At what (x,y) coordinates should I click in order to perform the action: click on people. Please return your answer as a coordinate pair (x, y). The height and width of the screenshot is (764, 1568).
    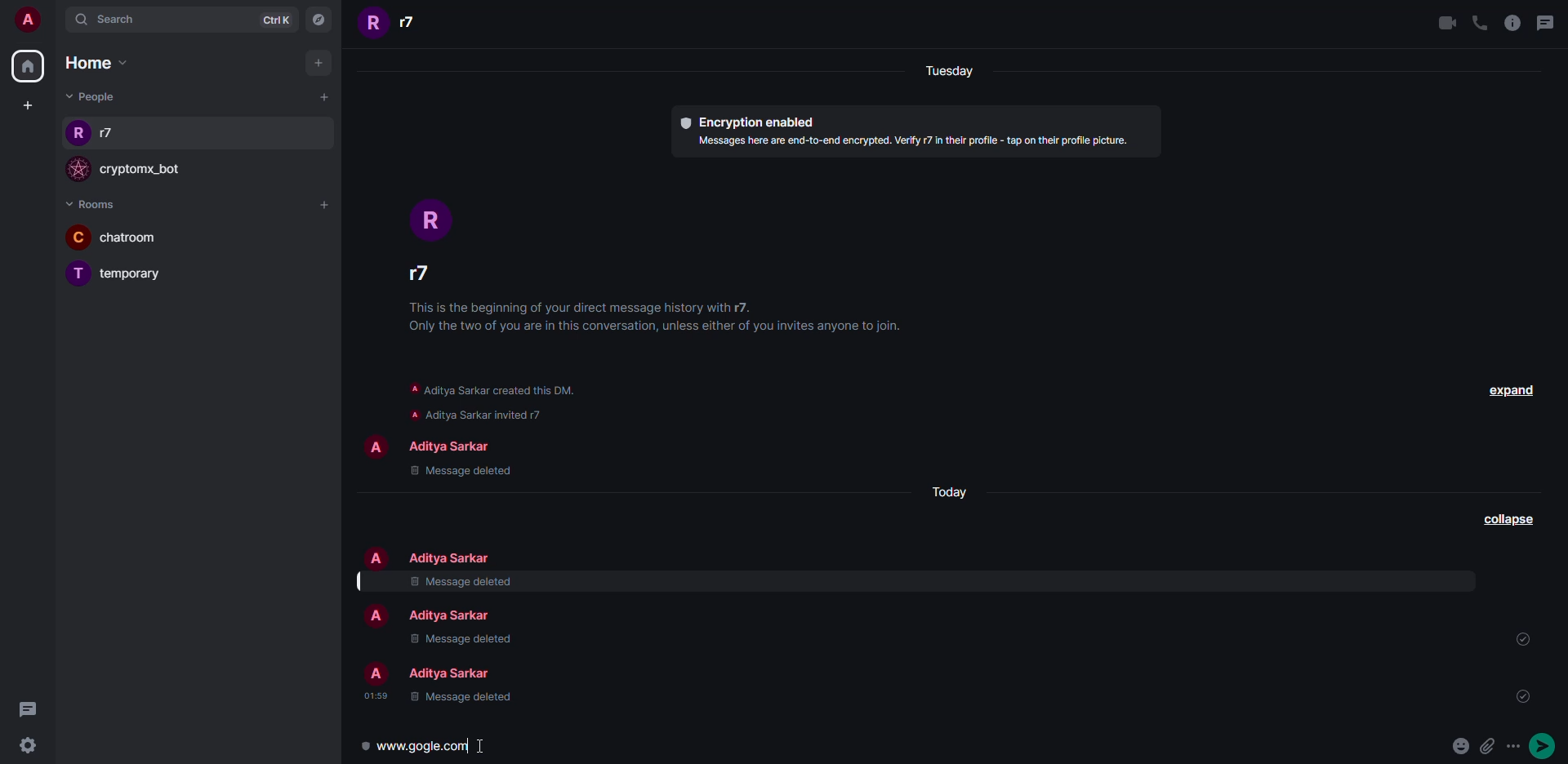
    Looking at the image, I should click on (455, 673).